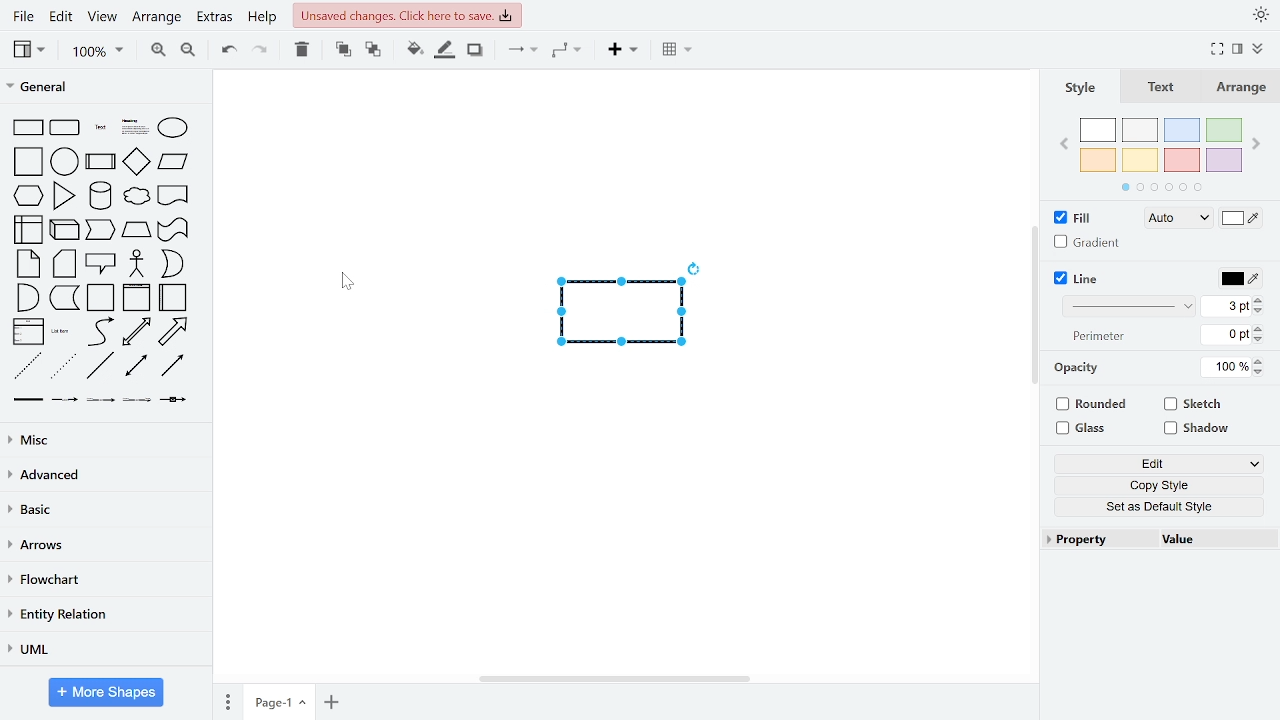 This screenshot has height=720, width=1280. I want to click on view, so click(27, 49).